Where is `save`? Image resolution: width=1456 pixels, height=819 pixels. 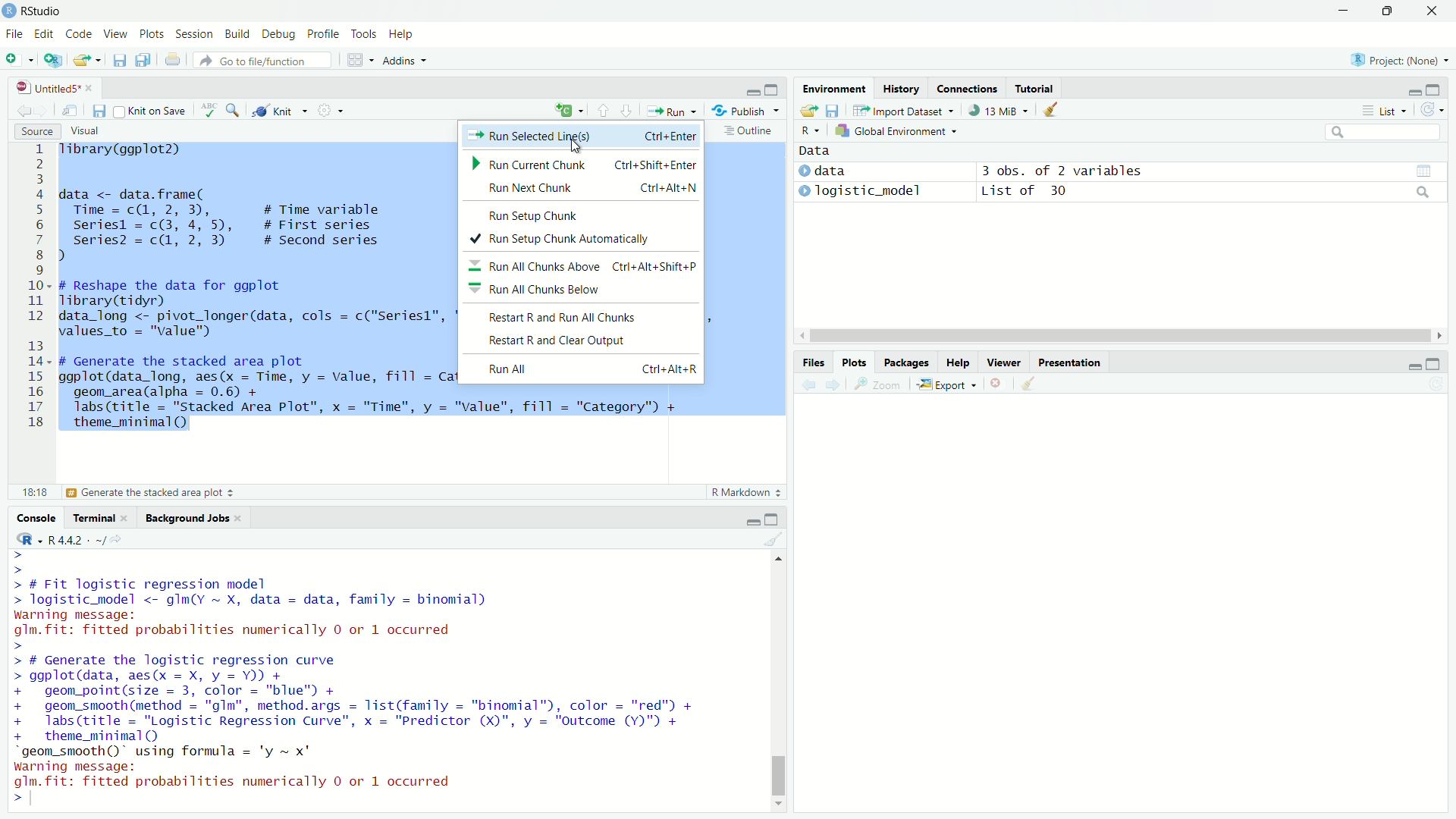
save is located at coordinates (118, 63).